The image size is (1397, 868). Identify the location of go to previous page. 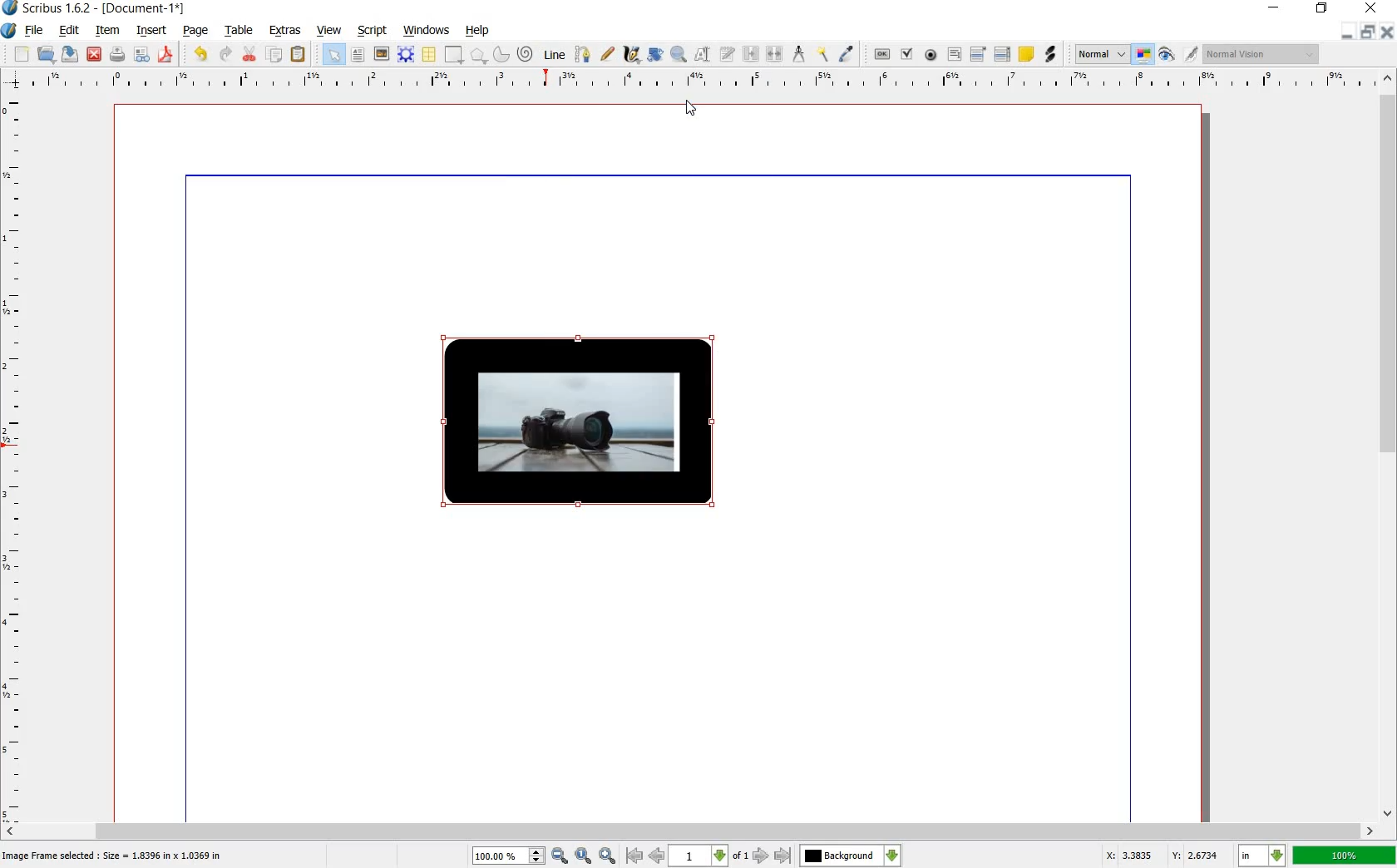
(656, 855).